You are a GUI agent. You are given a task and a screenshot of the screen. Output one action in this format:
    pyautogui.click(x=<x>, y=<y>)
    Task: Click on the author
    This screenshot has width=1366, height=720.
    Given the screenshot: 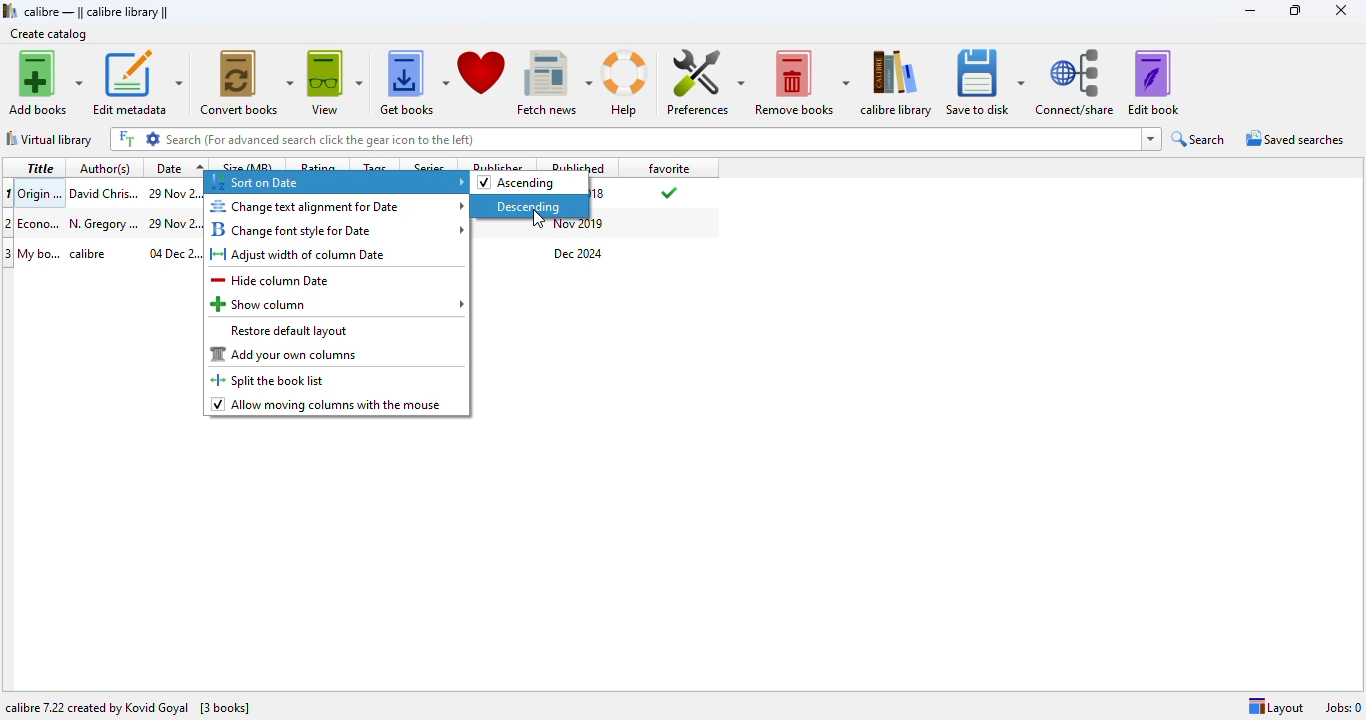 What is the action you would take?
    pyautogui.click(x=96, y=253)
    